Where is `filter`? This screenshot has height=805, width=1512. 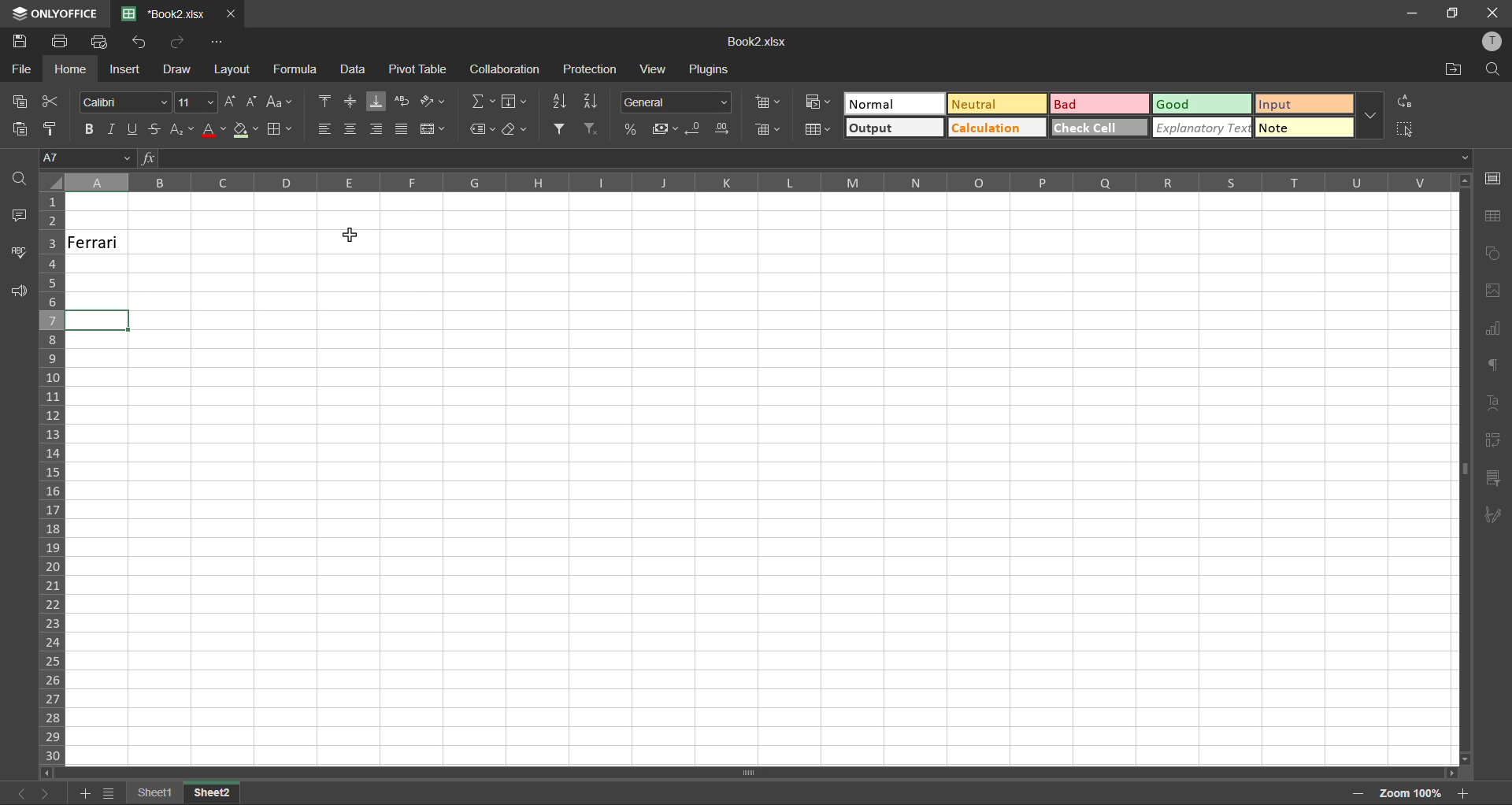
filter is located at coordinates (561, 130).